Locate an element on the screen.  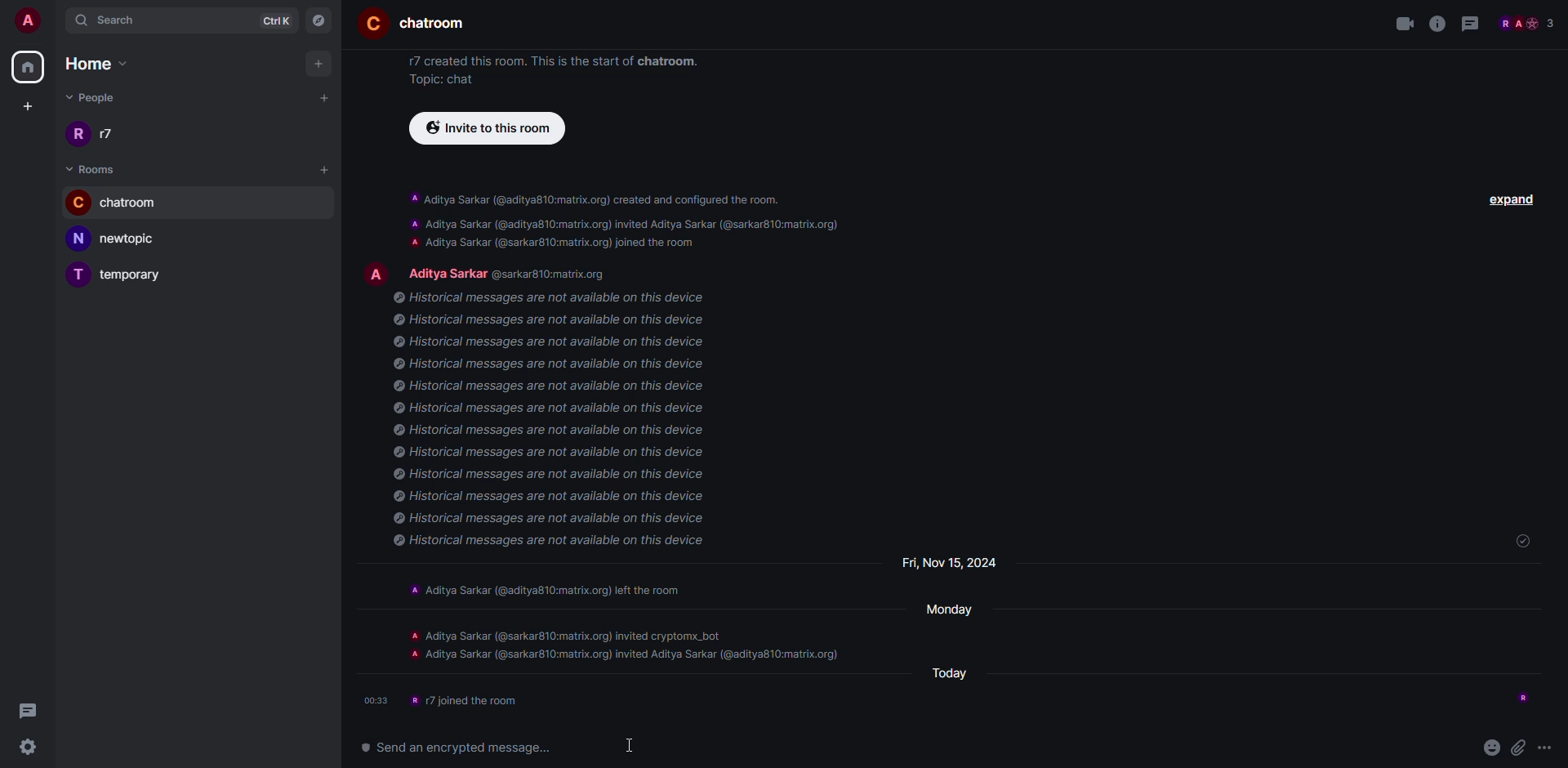
send an encrypted message is located at coordinates (458, 749).